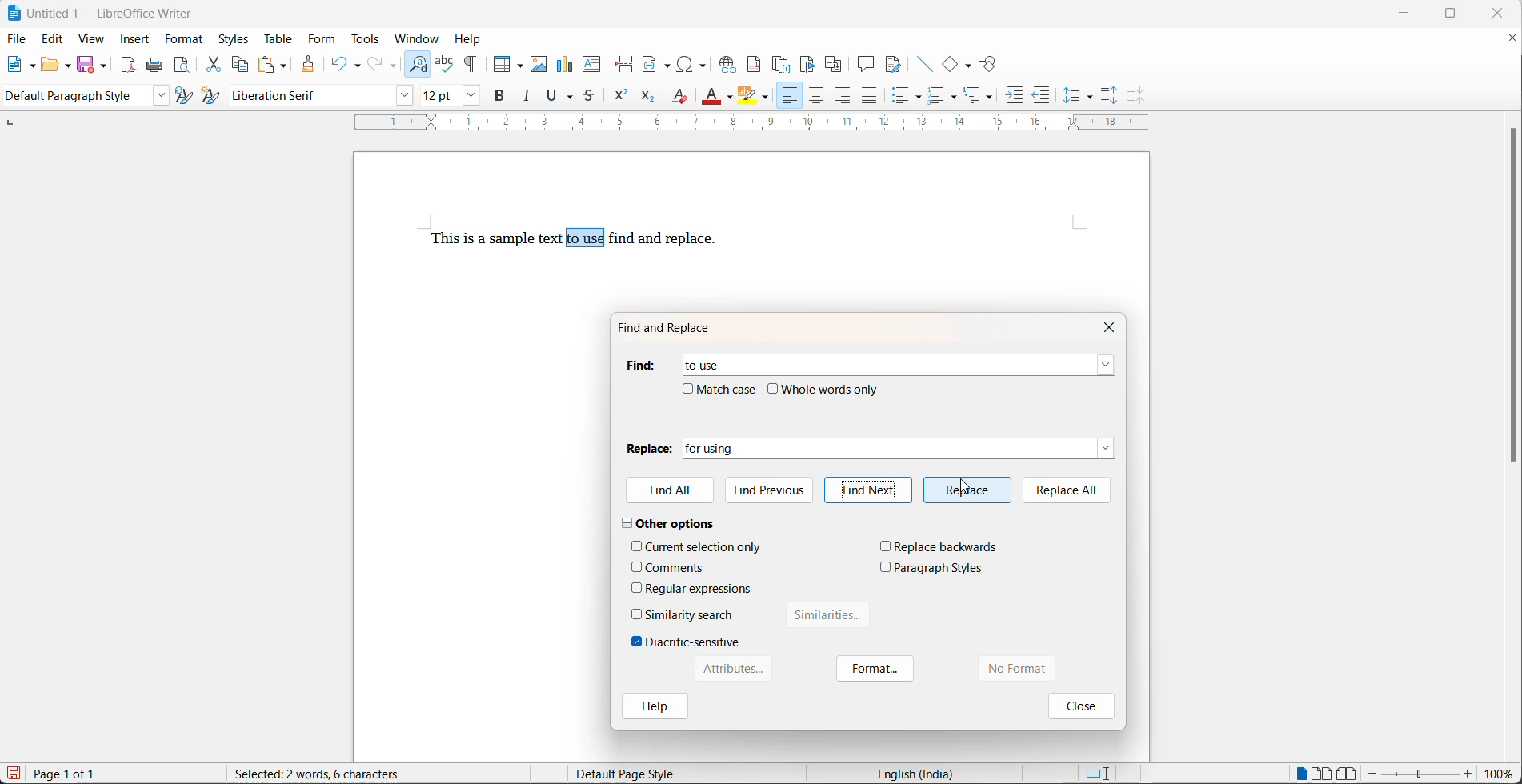 Image resolution: width=1522 pixels, height=784 pixels. What do you see at coordinates (831, 389) in the screenshot?
I see `whole words only` at bounding box center [831, 389].